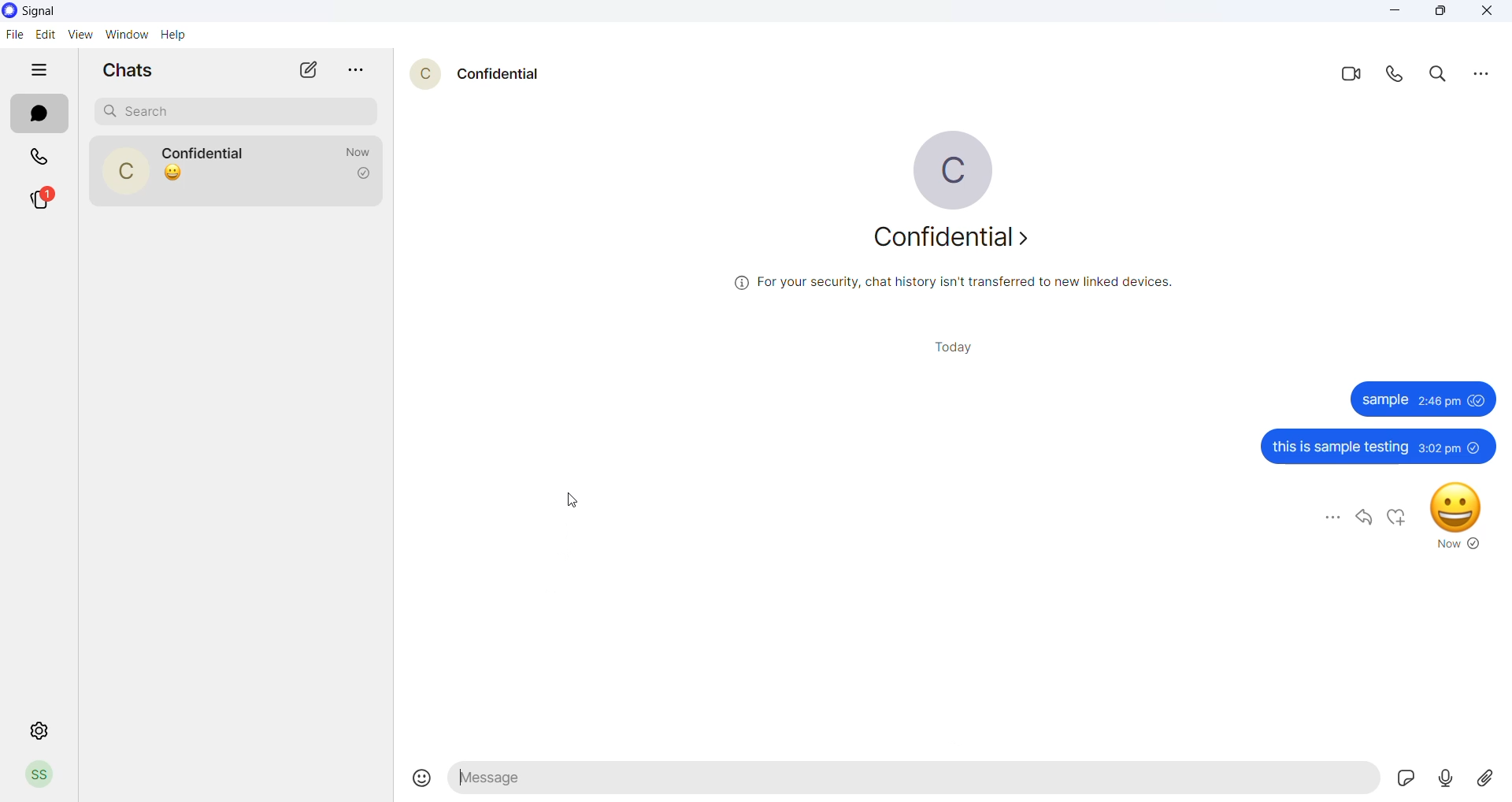  Describe the element at coordinates (461, 779) in the screenshot. I see `text markup` at that location.